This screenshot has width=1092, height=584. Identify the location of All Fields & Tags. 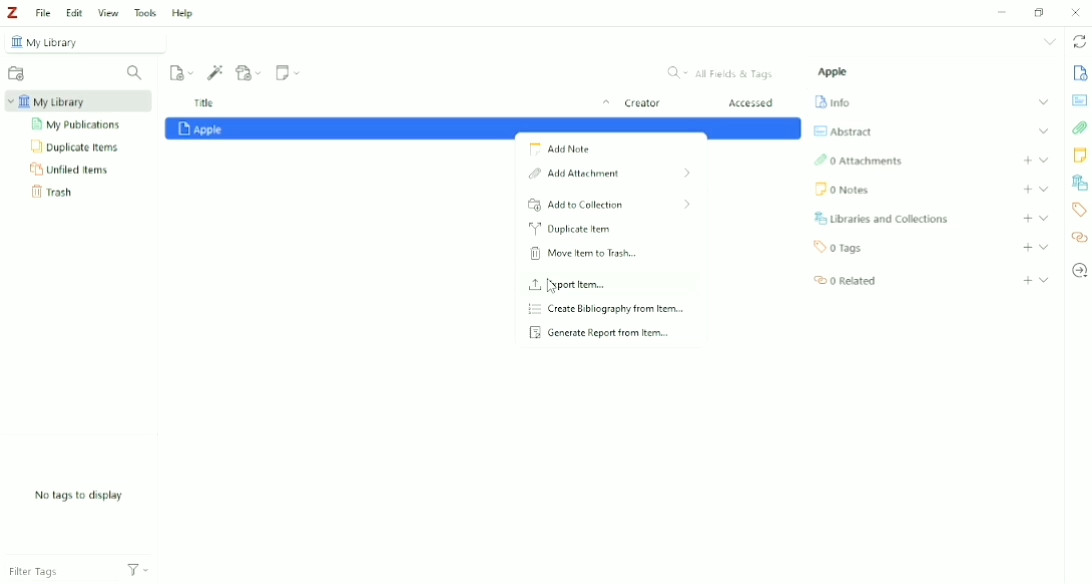
(719, 73).